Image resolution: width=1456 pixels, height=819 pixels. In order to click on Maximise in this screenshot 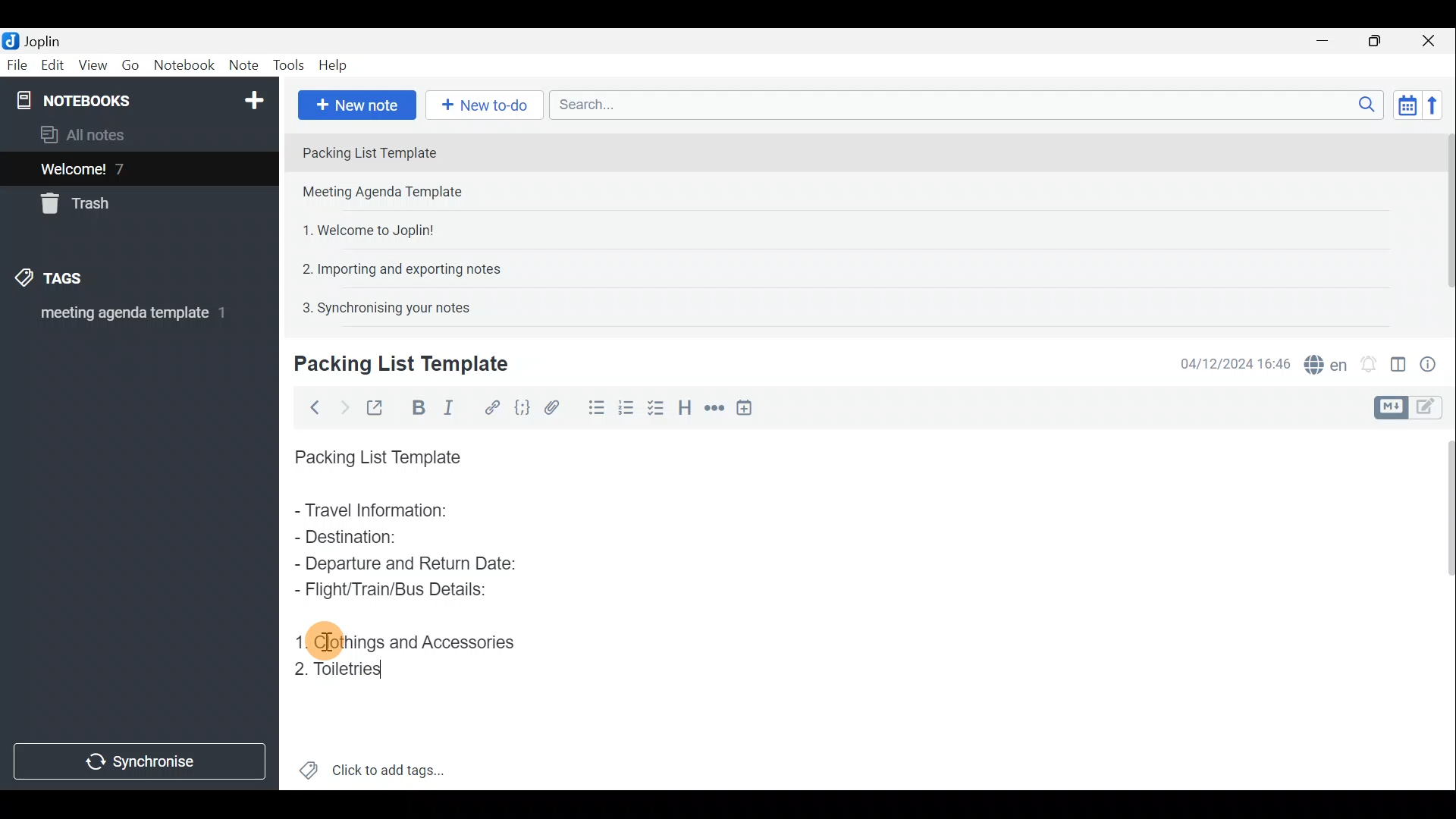, I will do `click(1380, 41)`.